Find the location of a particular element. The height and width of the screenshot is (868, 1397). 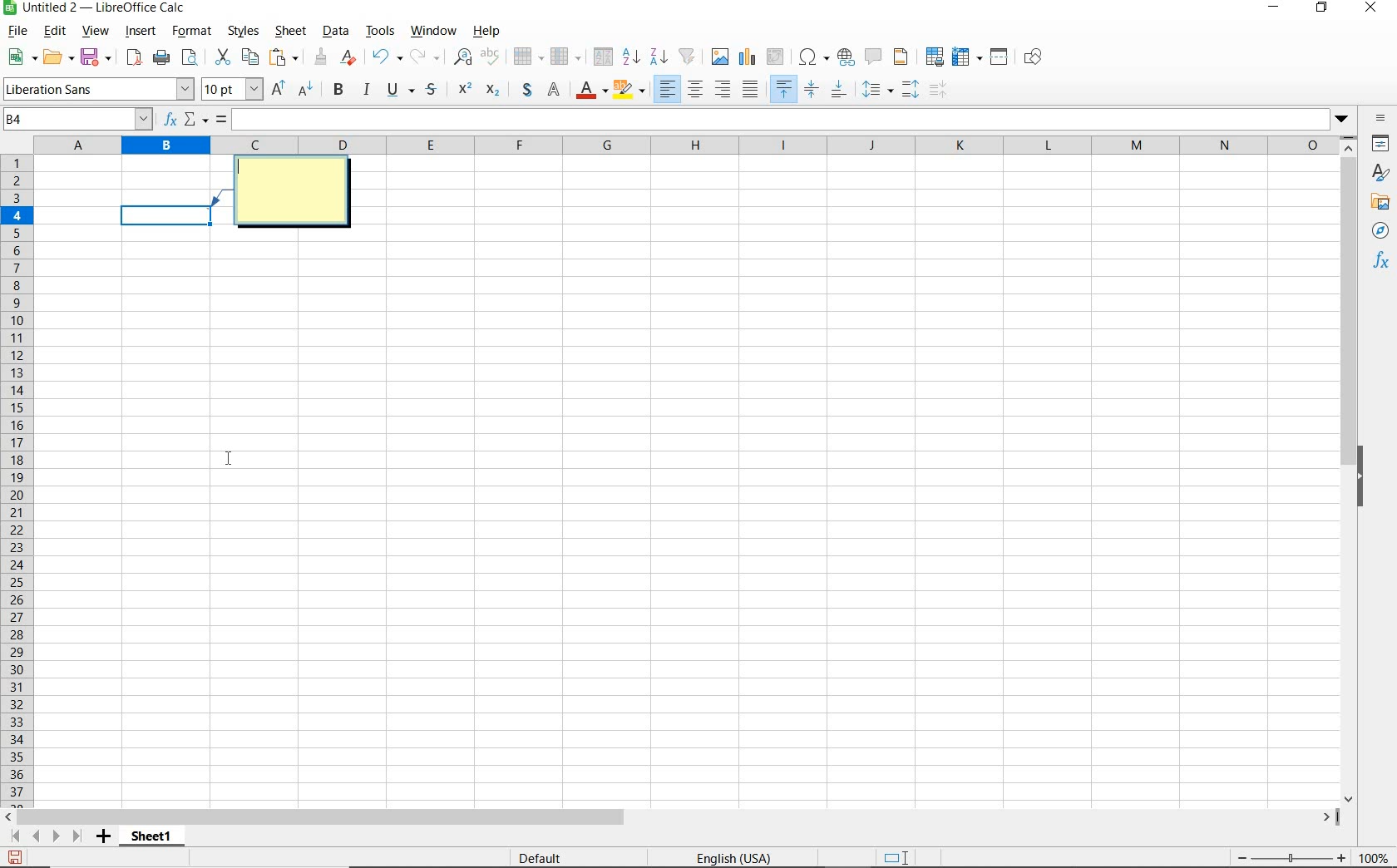

row is located at coordinates (528, 56).